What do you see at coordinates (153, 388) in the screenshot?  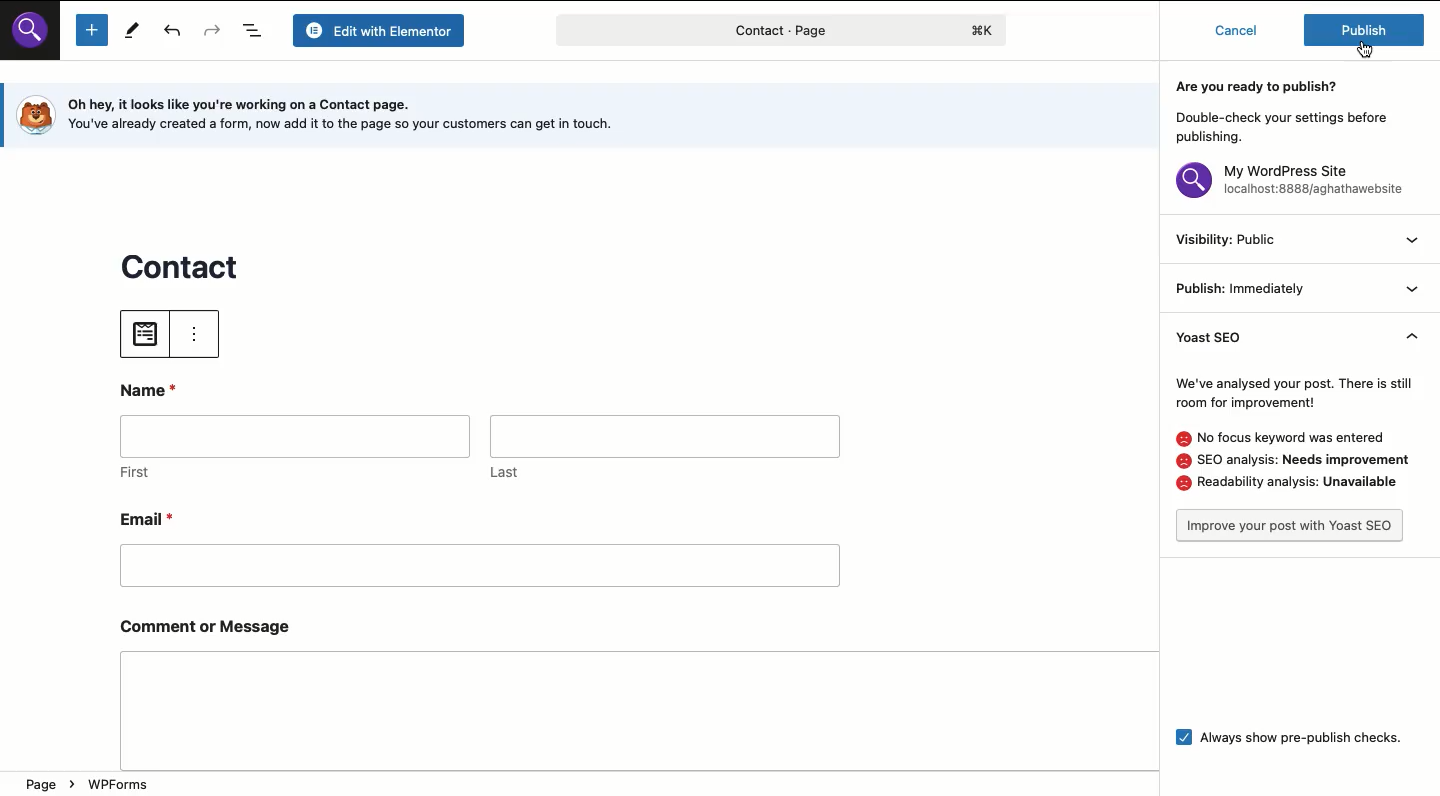 I see `Name` at bounding box center [153, 388].